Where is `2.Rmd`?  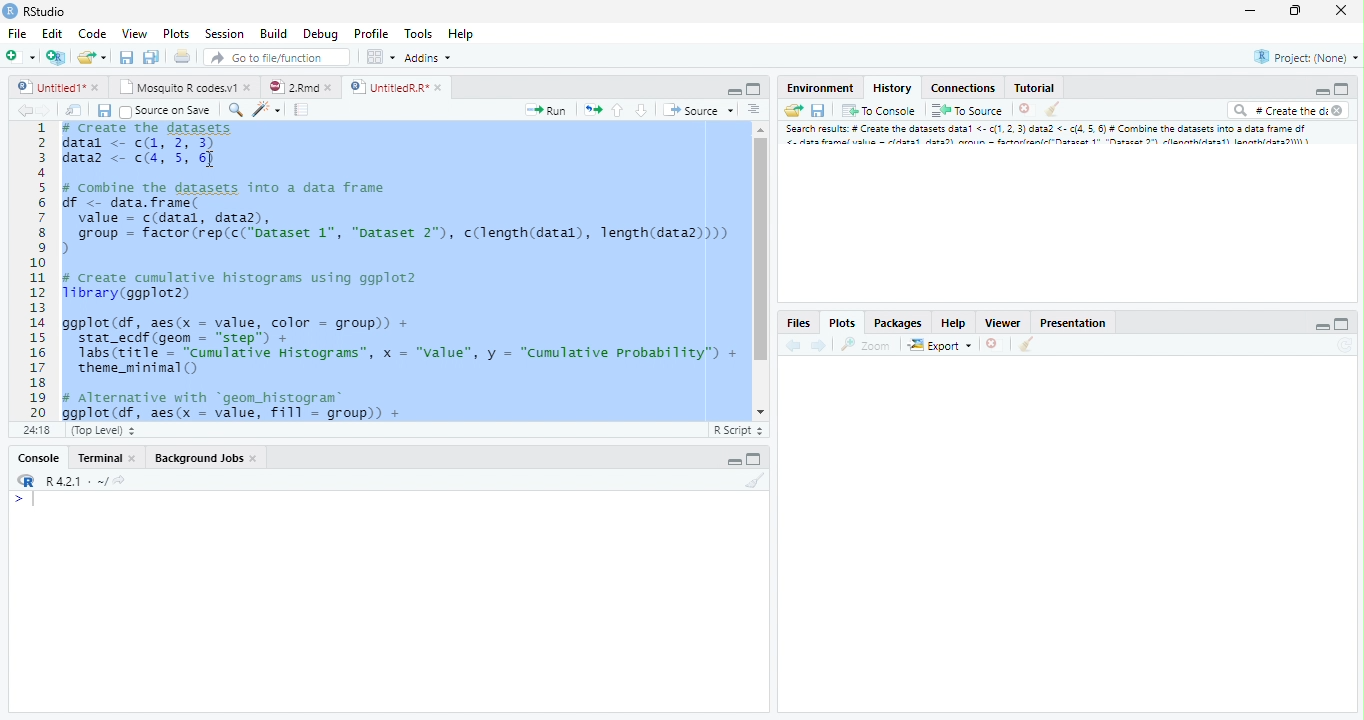
2.Rmd is located at coordinates (298, 85).